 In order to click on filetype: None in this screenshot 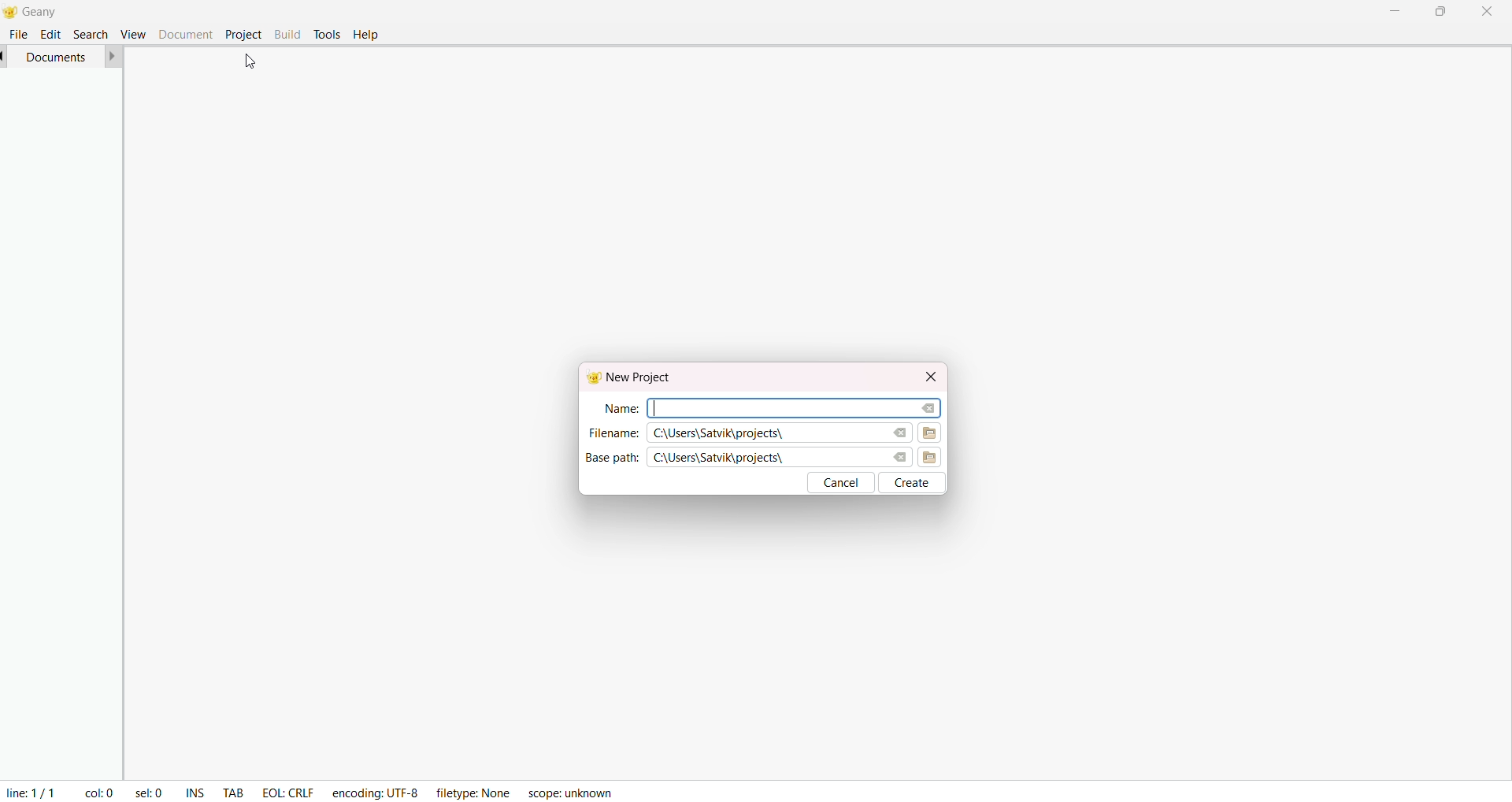, I will do `click(470, 790)`.